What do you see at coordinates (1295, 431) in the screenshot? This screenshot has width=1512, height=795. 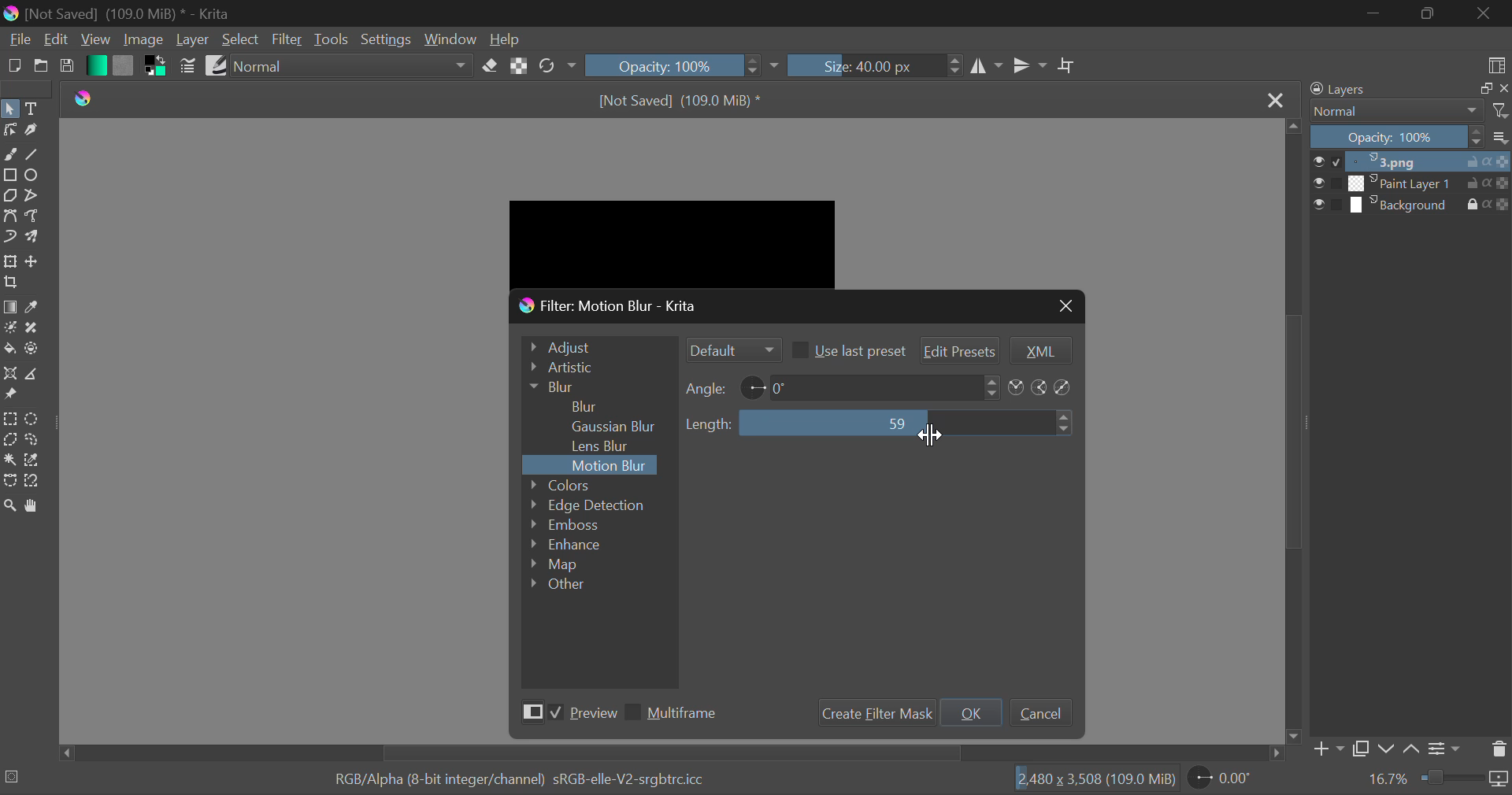 I see `Scroll Bar` at bounding box center [1295, 431].